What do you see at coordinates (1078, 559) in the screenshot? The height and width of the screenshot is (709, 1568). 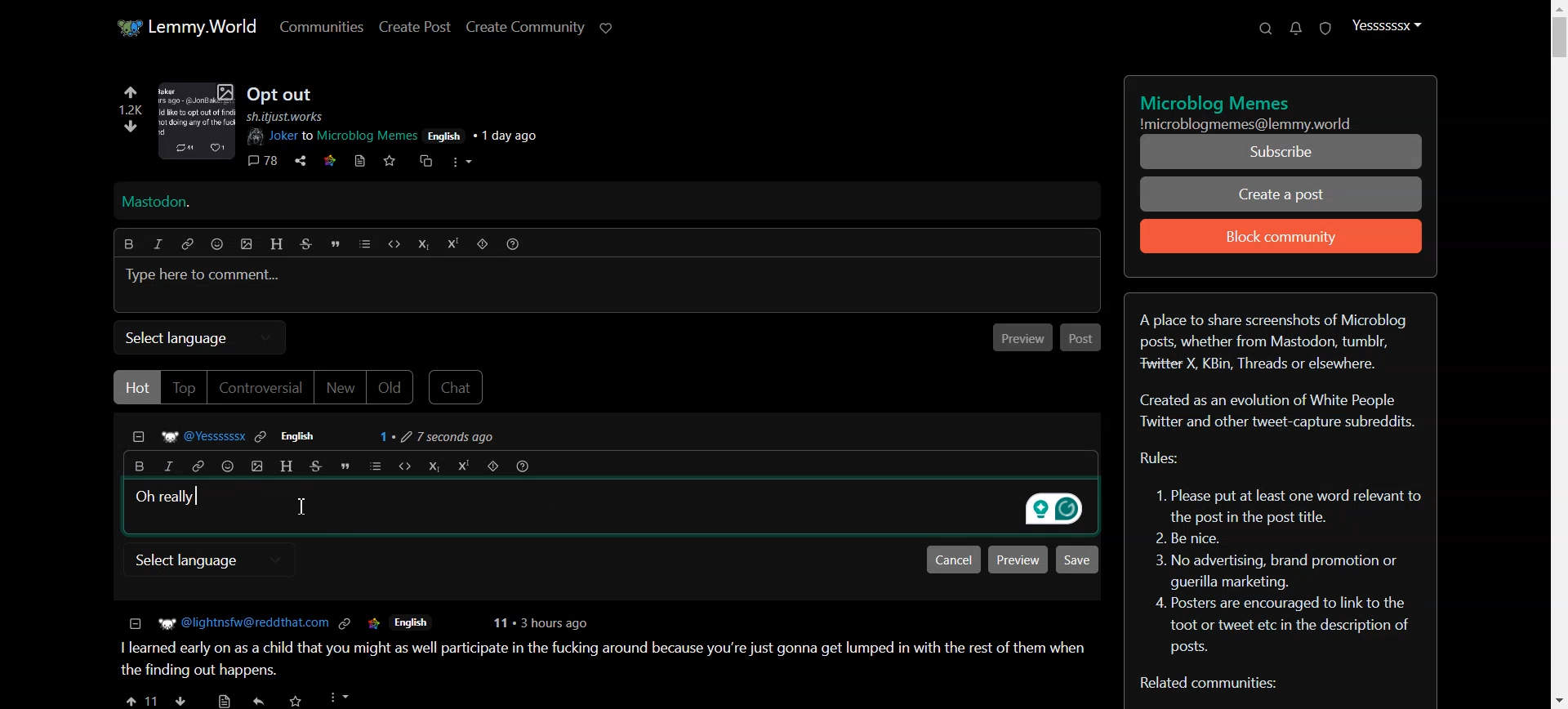 I see `Save` at bounding box center [1078, 559].